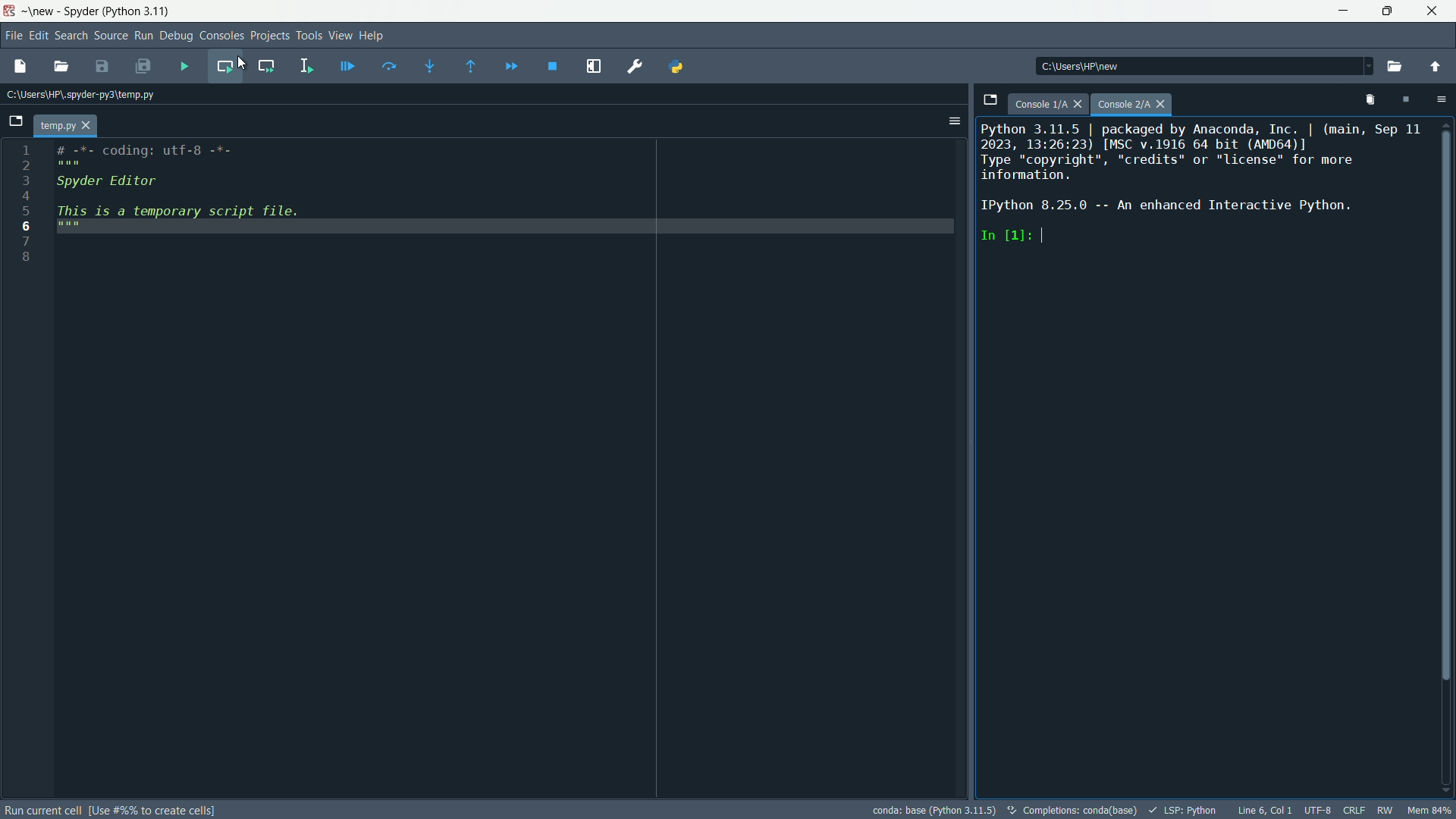 The height and width of the screenshot is (819, 1456). What do you see at coordinates (1368, 73) in the screenshot?
I see `Dropdown` at bounding box center [1368, 73].